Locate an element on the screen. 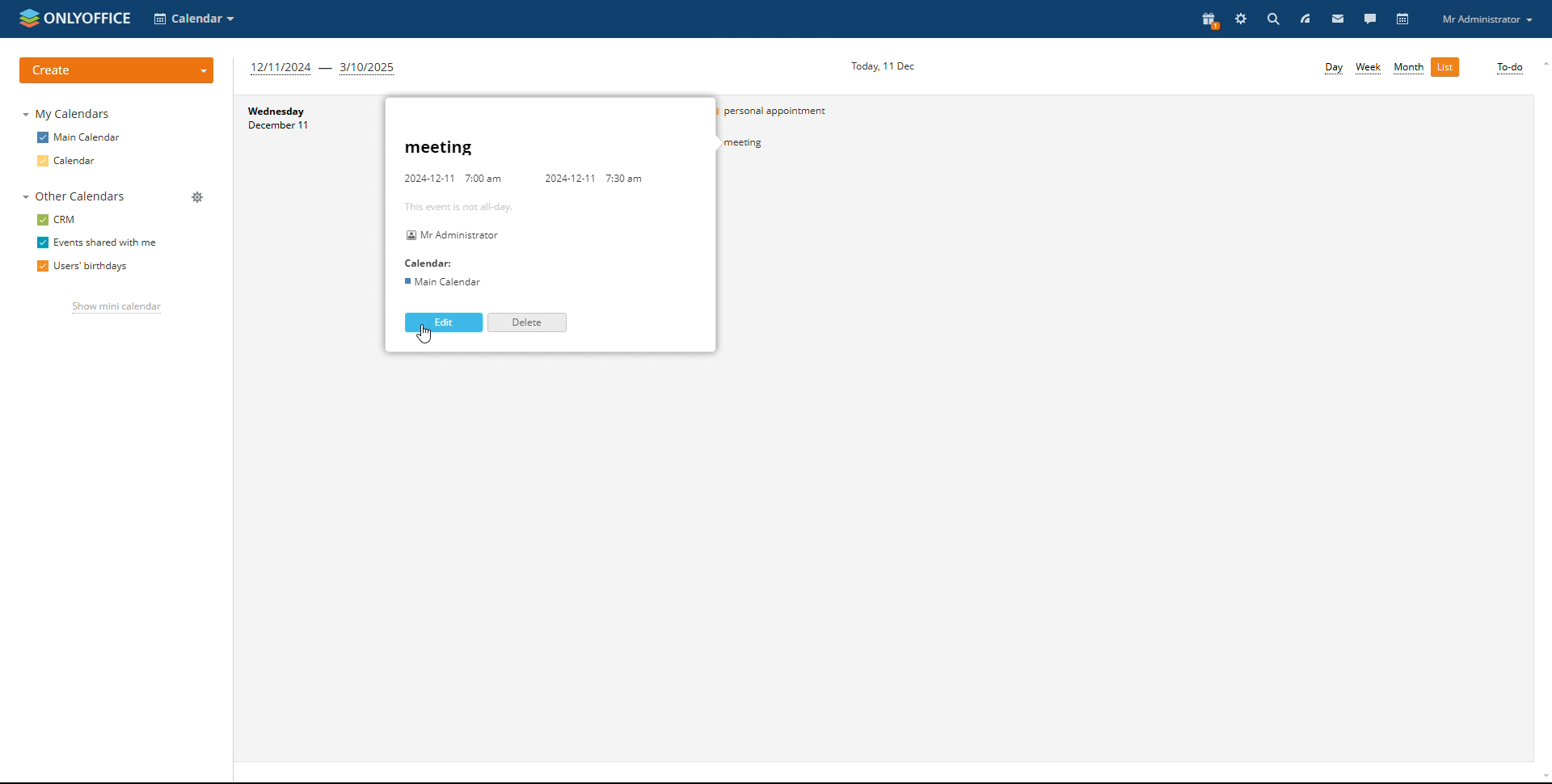  day and date is located at coordinates (301, 140).